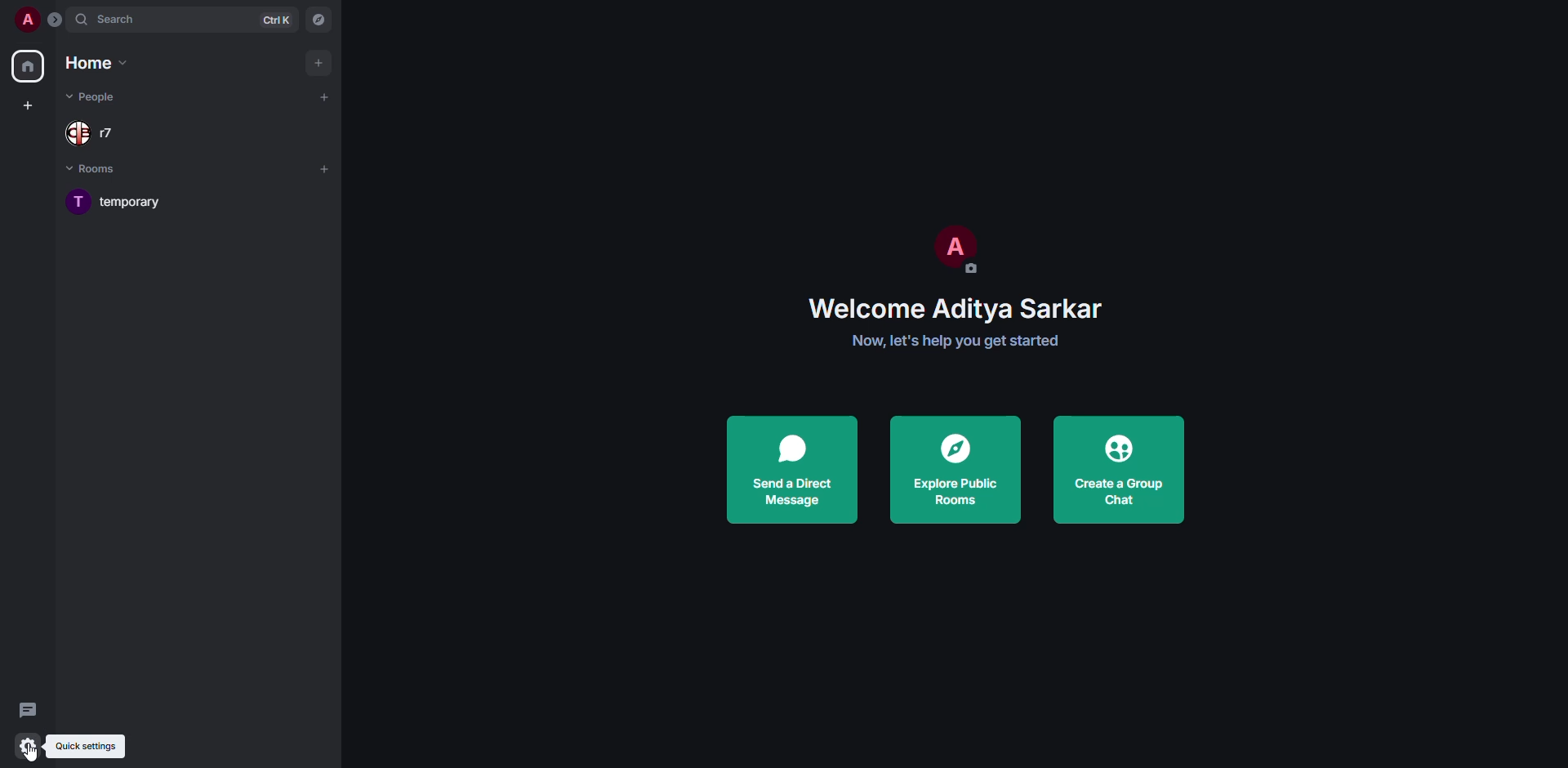 This screenshot has width=1568, height=768. Describe the element at coordinates (27, 709) in the screenshot. I see `threads` at that location.